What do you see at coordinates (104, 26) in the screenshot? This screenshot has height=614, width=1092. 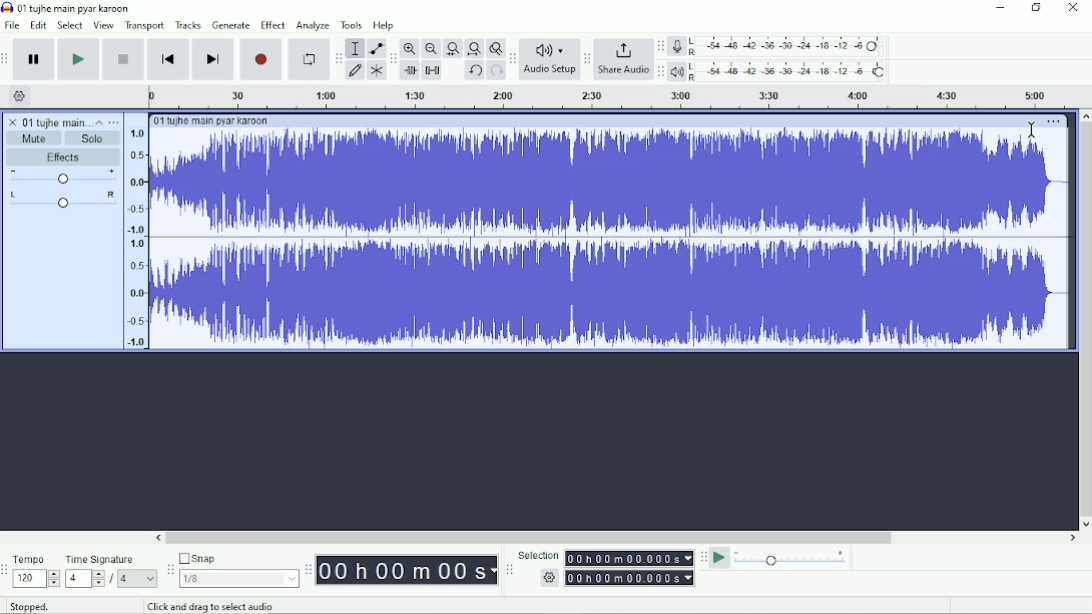 I see `View` at bounding box center [104, 26].